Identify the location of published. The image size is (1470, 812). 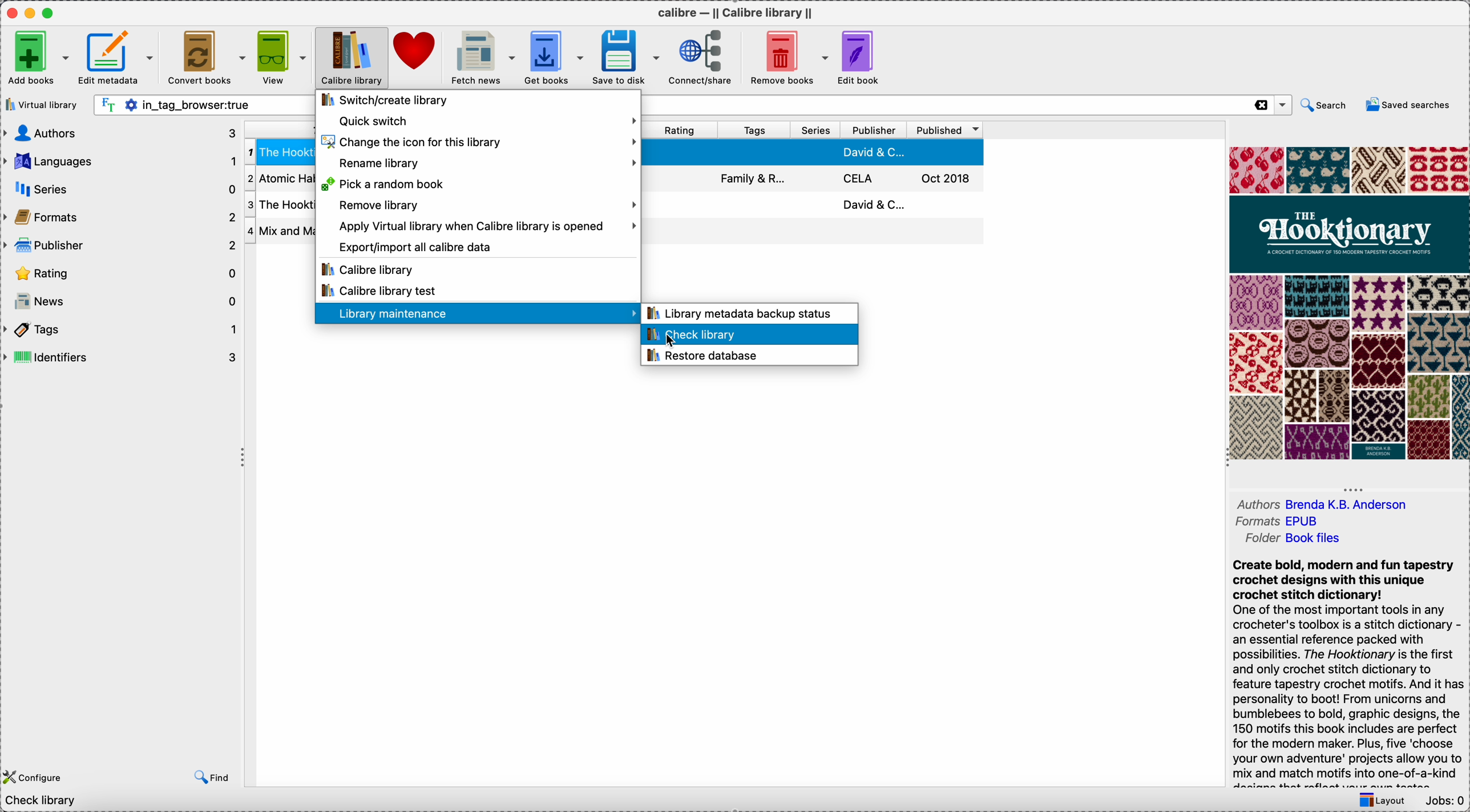
(946, 131).